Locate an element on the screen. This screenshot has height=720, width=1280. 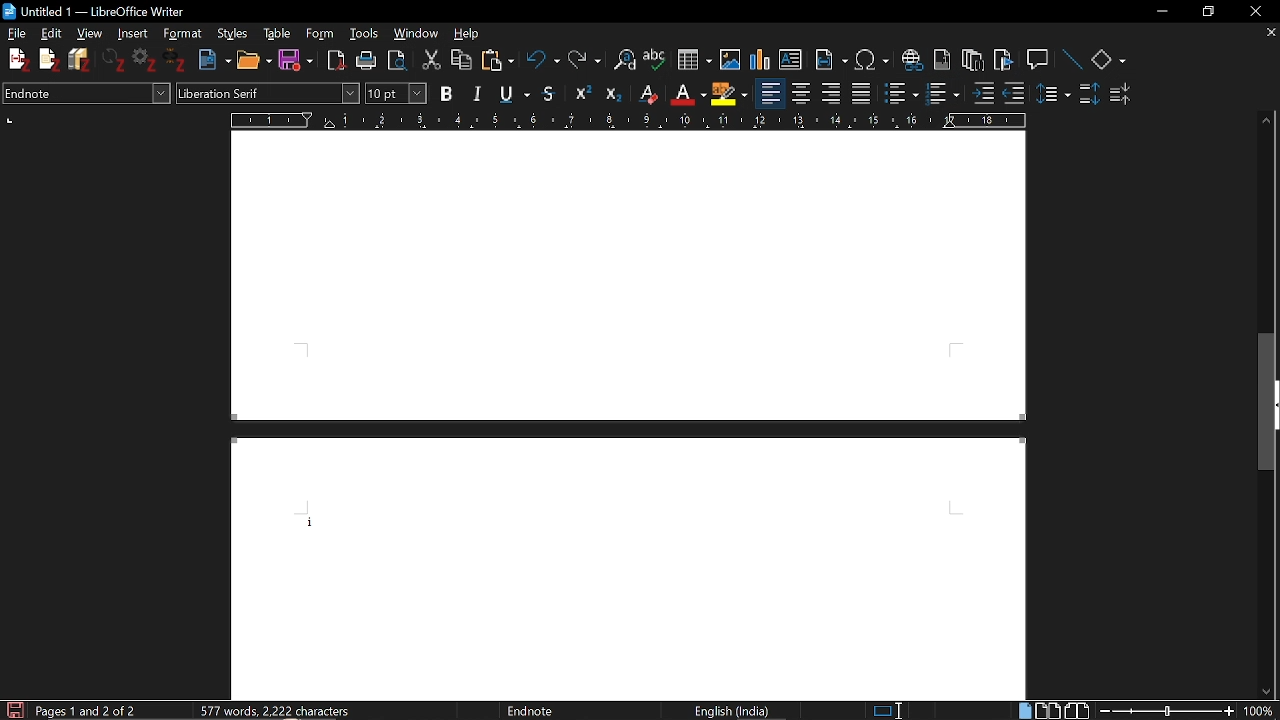
Book view is located at coordinates (1076, 711).